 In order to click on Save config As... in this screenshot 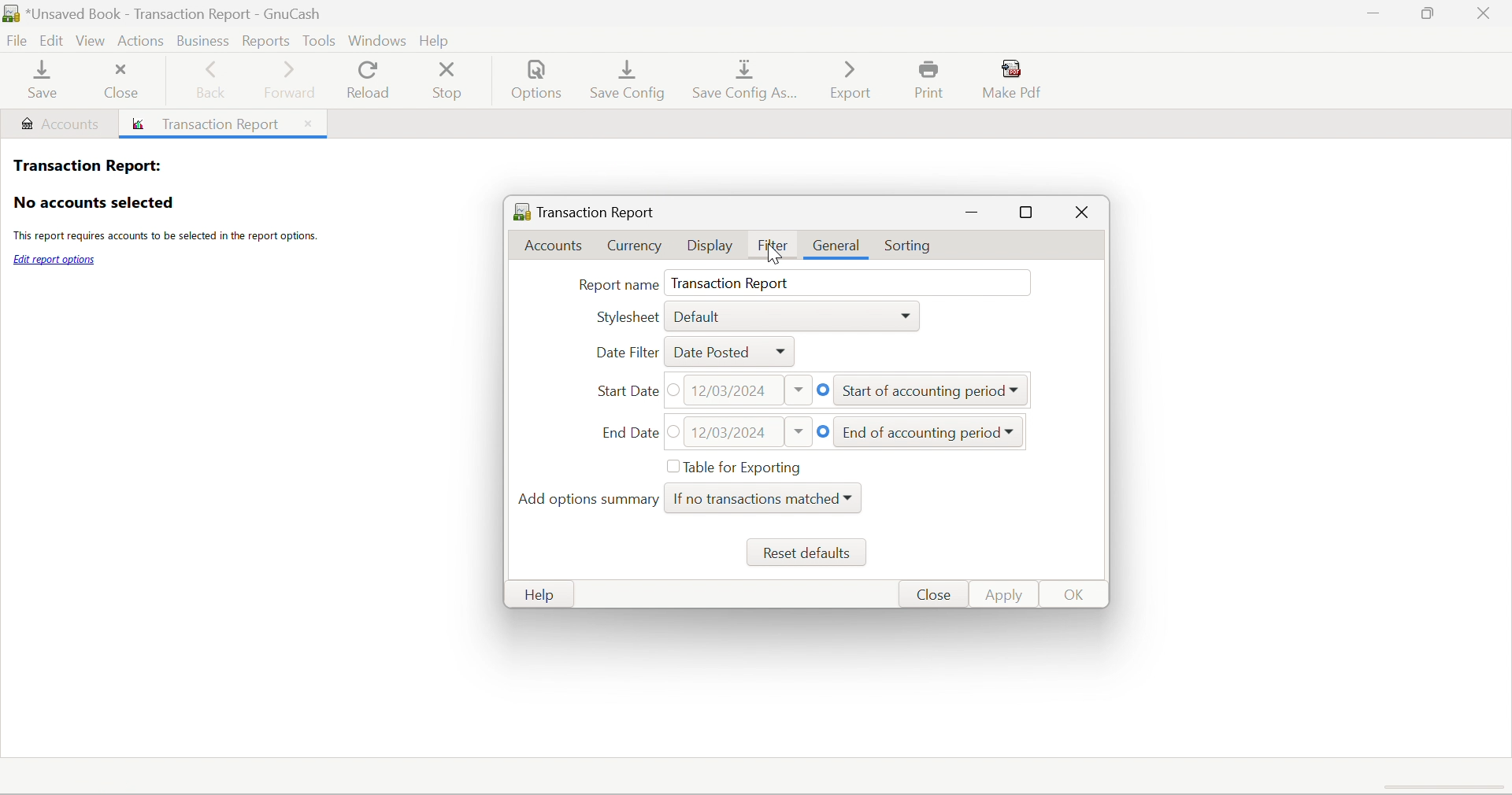, I will do `click(748, 82)`.